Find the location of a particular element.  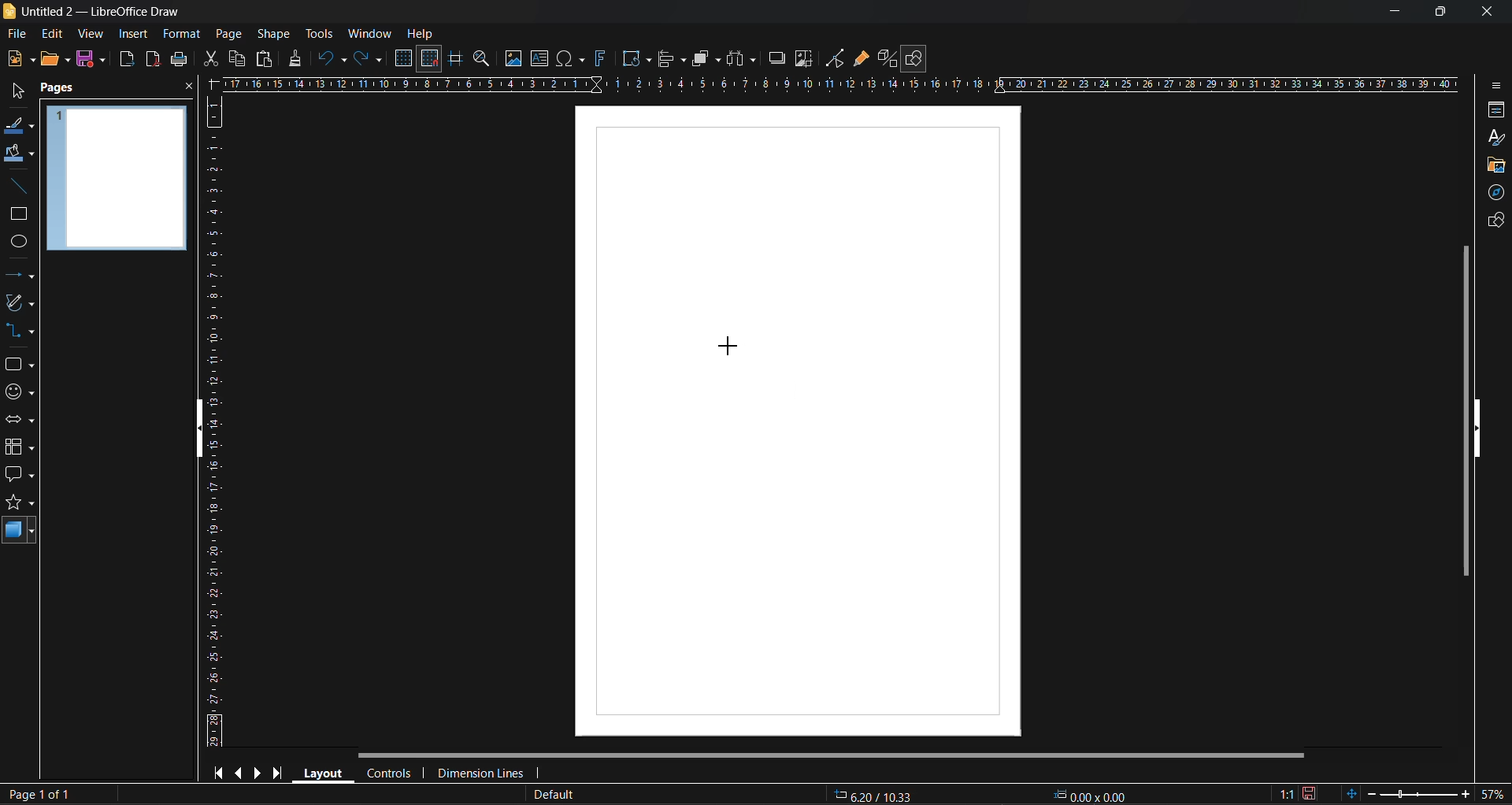

click to save is located at coordinates (1310, 792).